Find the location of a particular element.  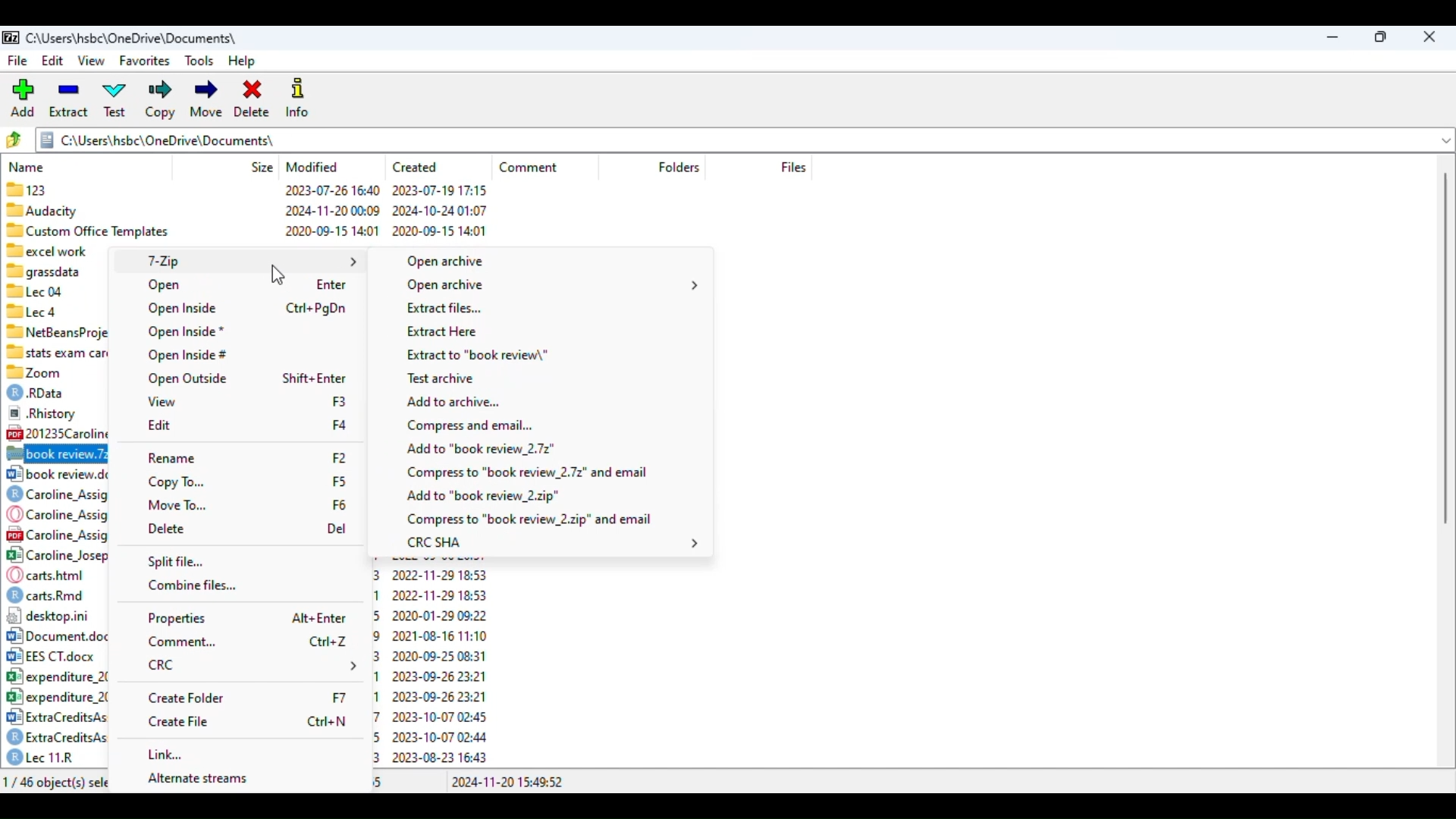

move is located at coordinates (206, 101).